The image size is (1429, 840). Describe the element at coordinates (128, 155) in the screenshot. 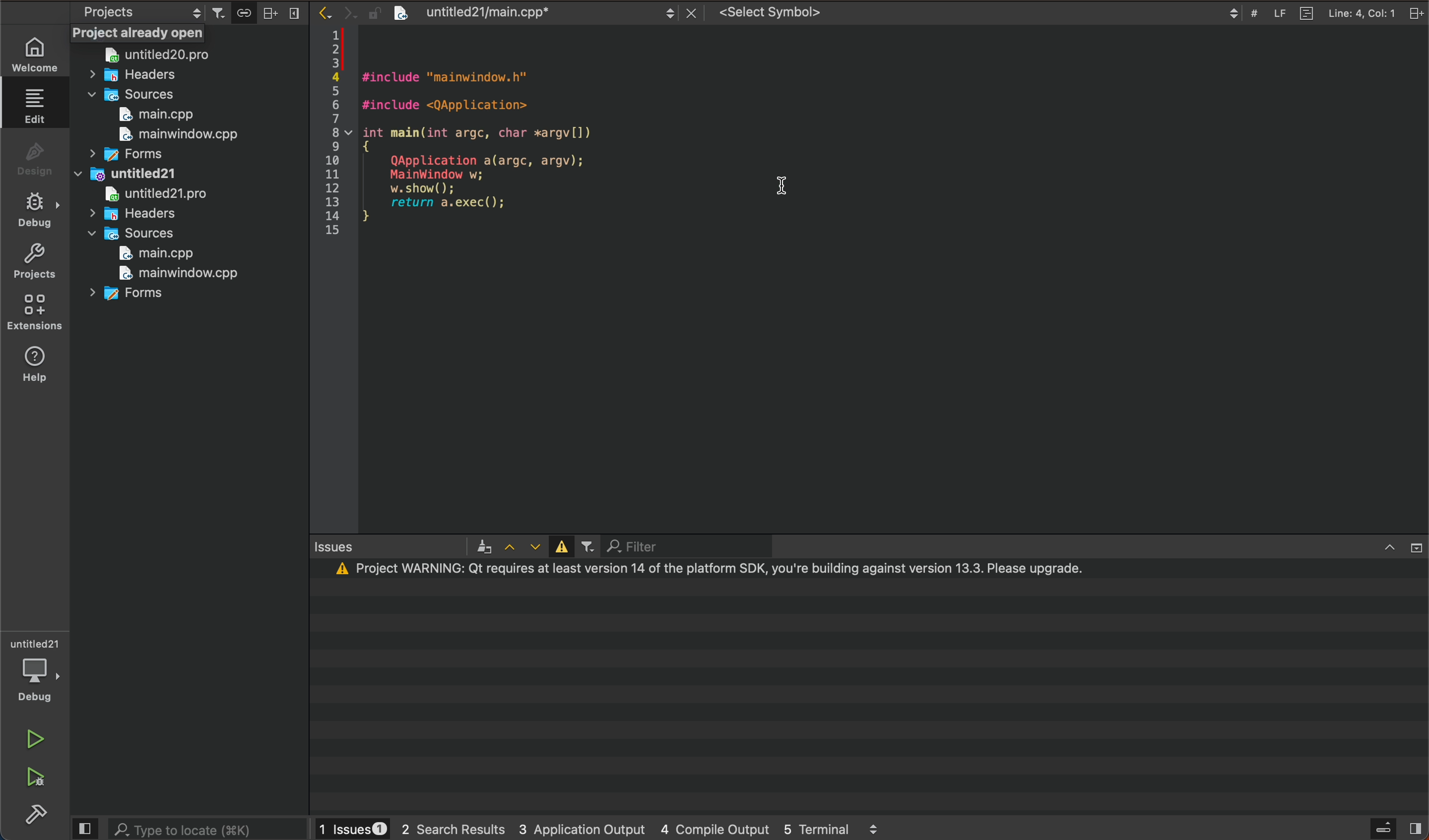

I see `forms` at that location.